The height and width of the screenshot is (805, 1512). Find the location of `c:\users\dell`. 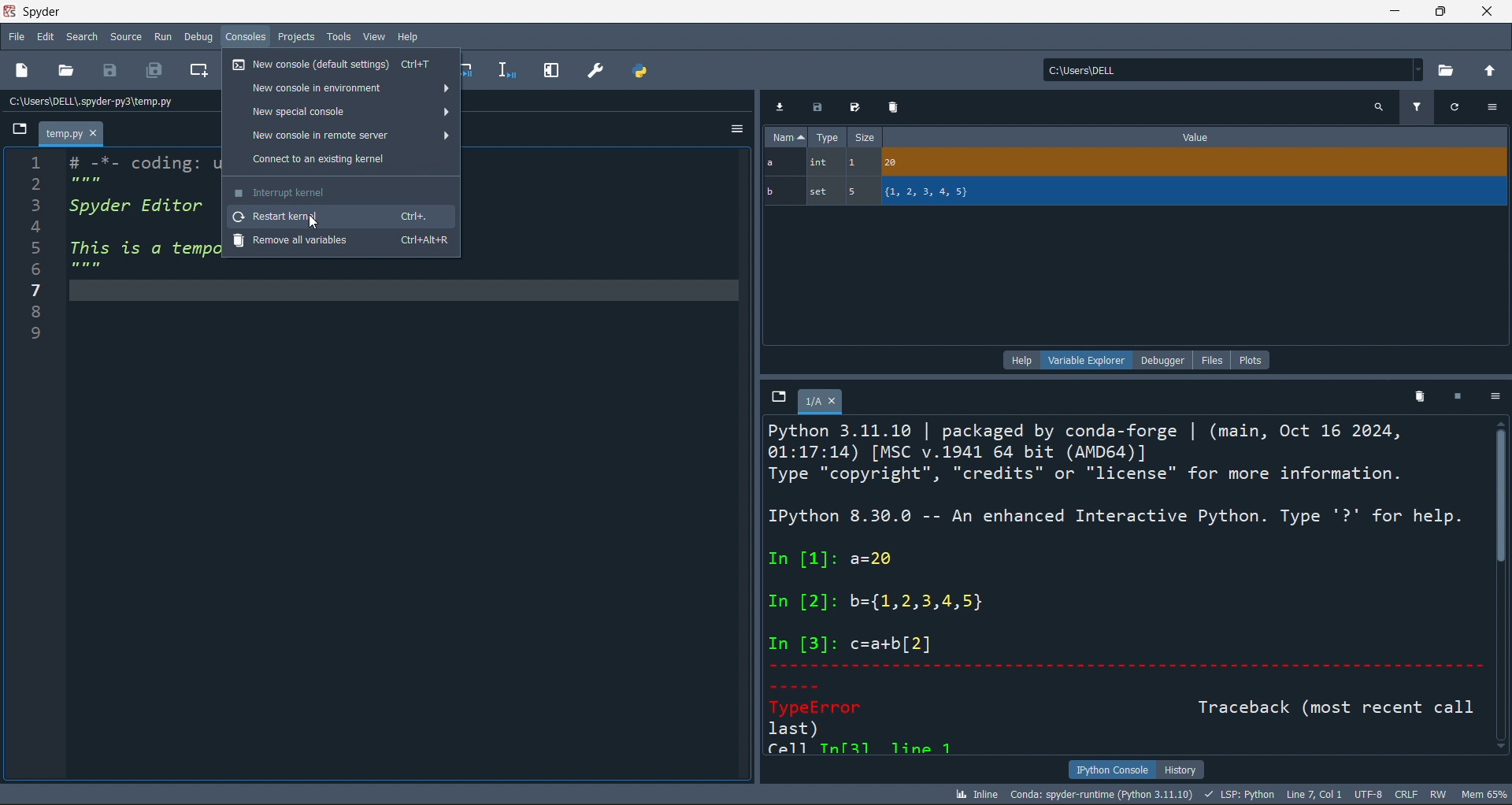

c:\users\dell is located at coordinates (1233, 67).